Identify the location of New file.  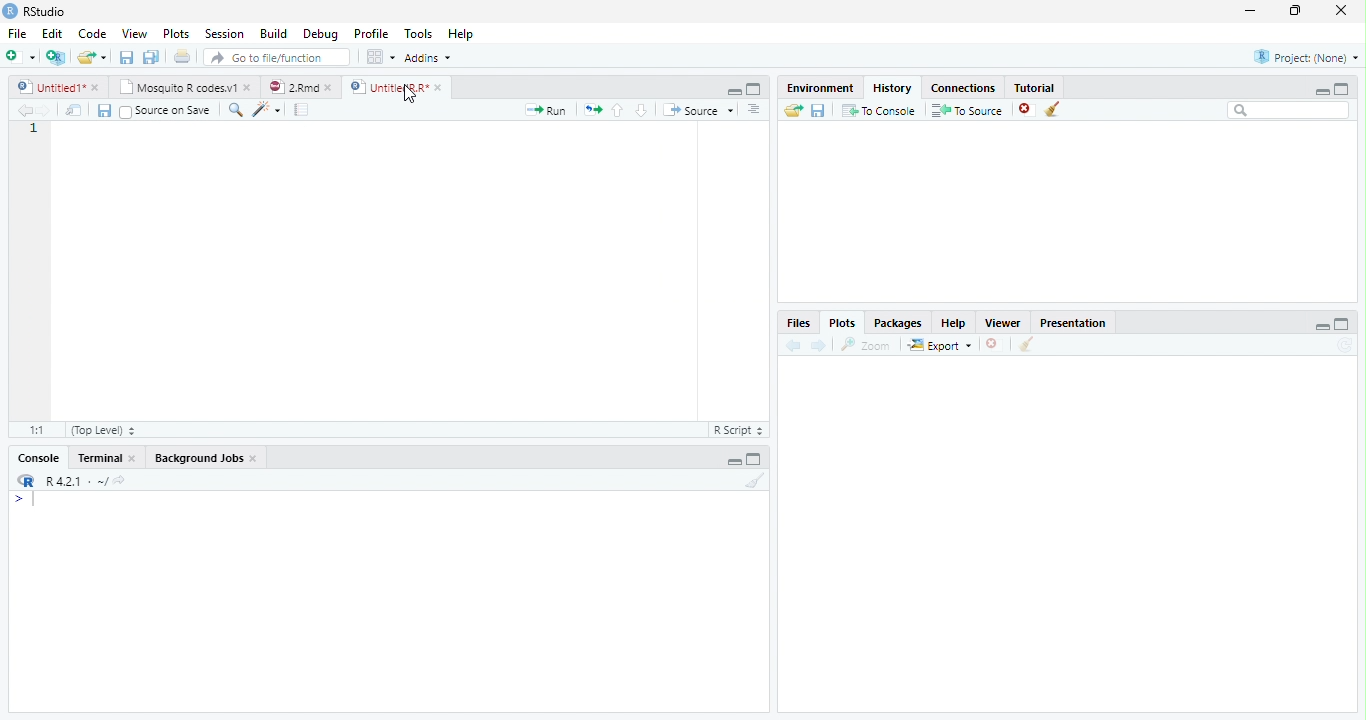
(20, 57).